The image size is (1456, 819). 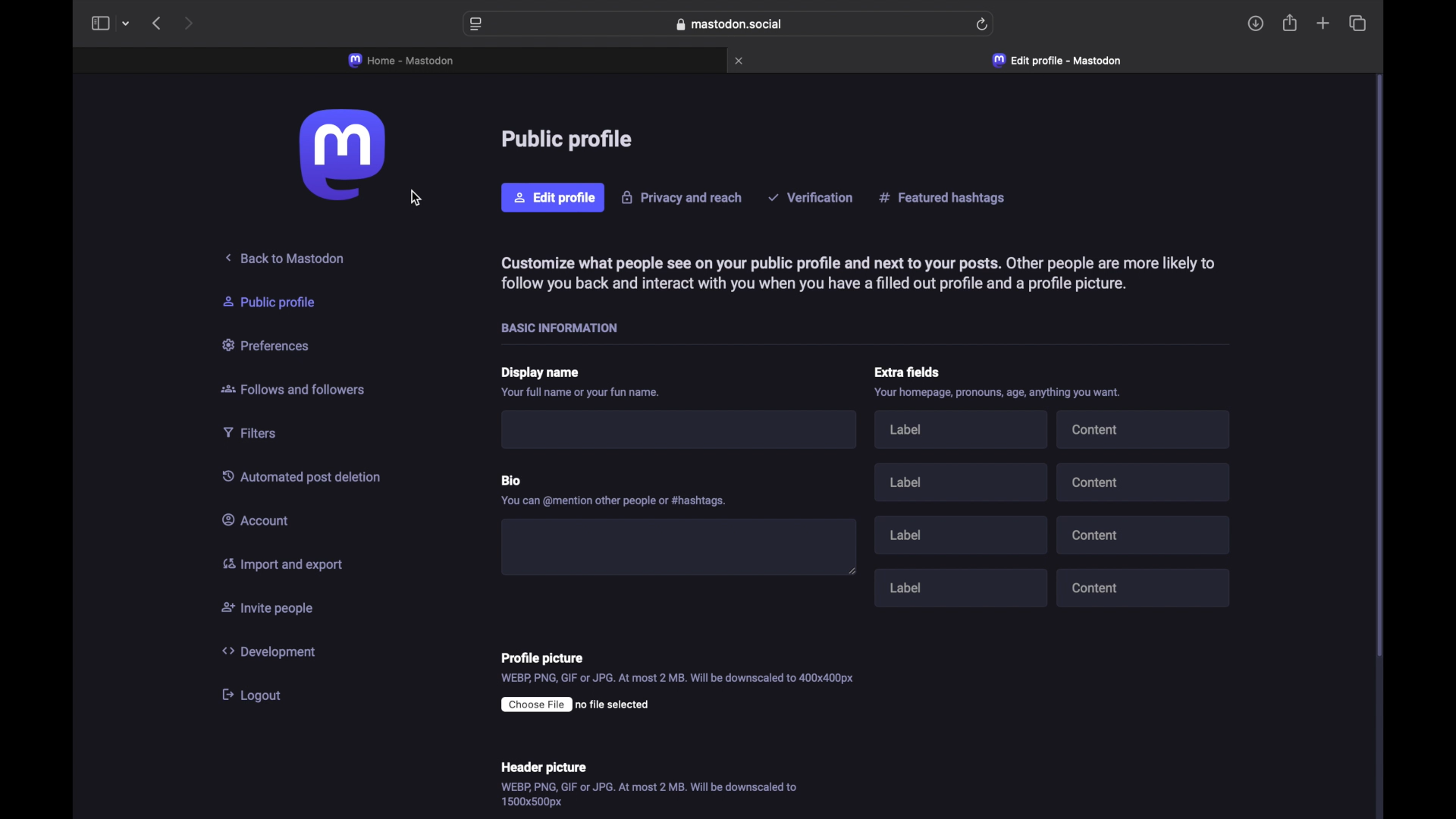 What do you see at coordinates (1141, 428) in the screenshot?
I see `content` at bounding box center [1141, 428].